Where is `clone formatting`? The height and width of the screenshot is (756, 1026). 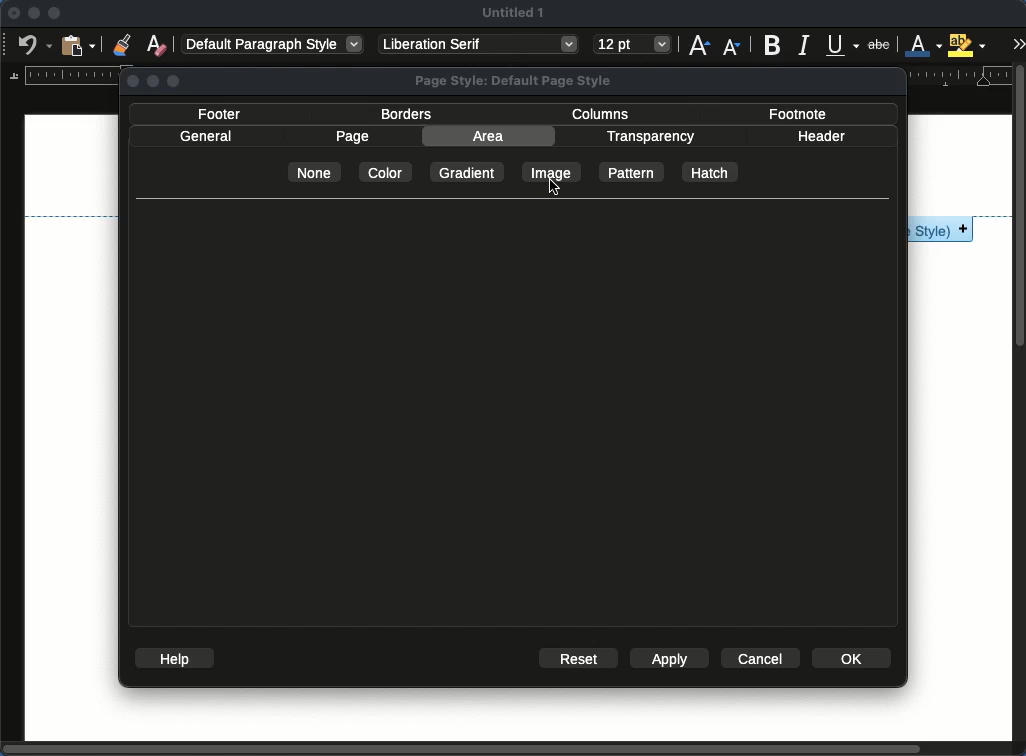 clone formatting is located at coordinates (122, 44).